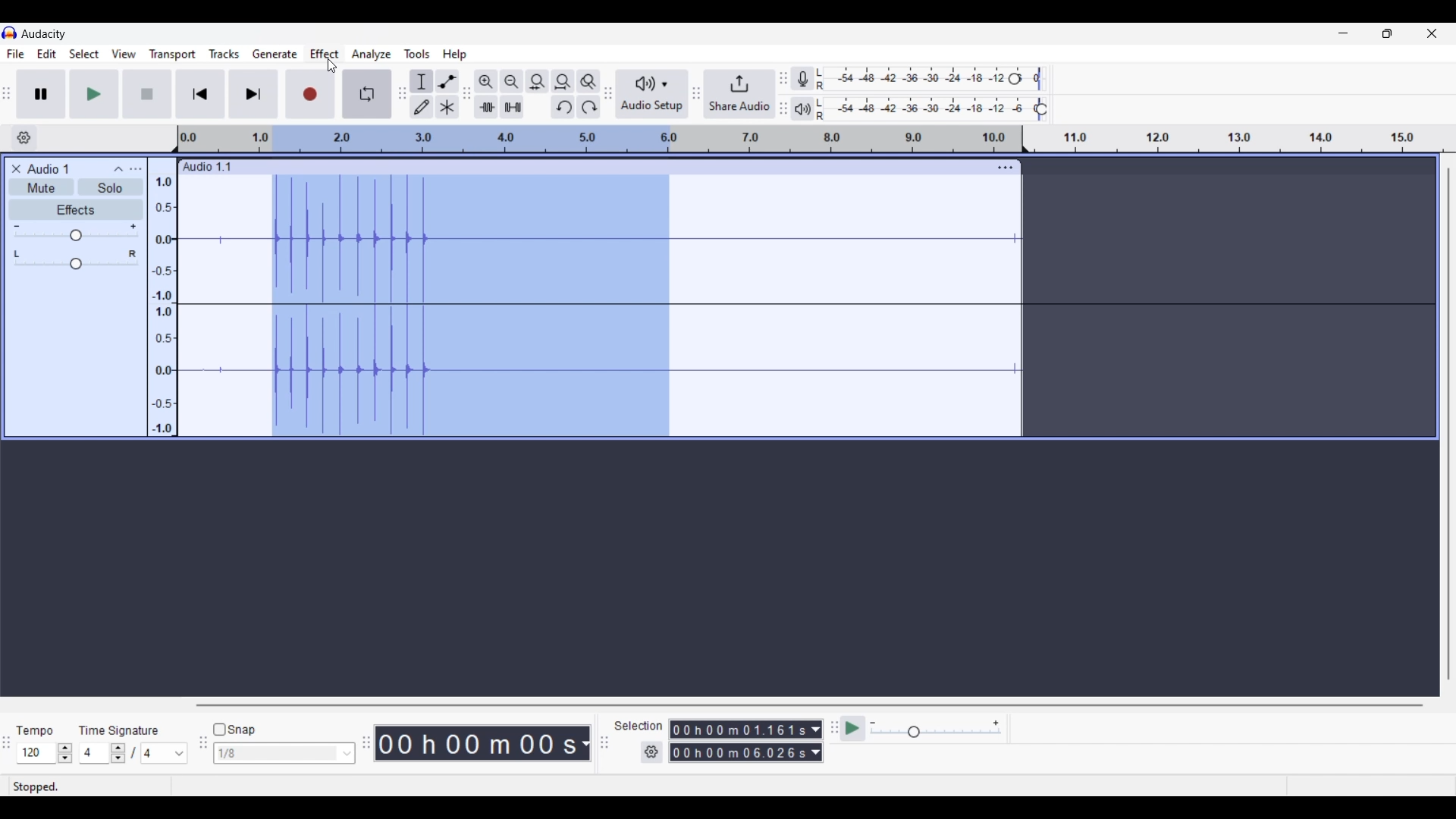 This screenshot has width=1456, height=819. What do you see at coordinates (118, 753) in the screenshot?
I see `Increase/Decrease time signature` at bounding box center [118, 753].